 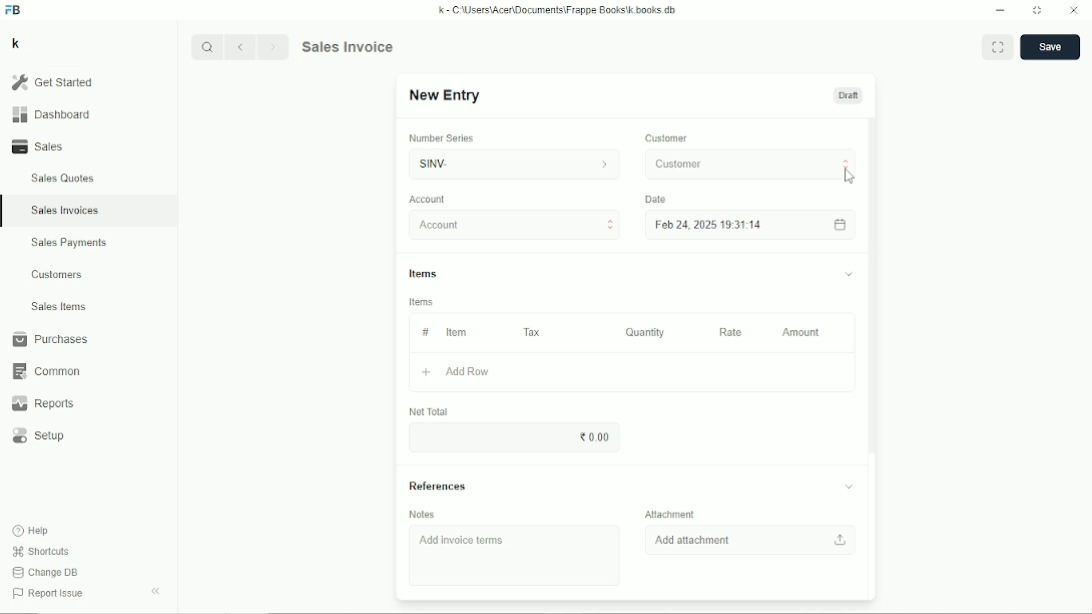 I want to click on Report issue, so click(x=46, y=595).